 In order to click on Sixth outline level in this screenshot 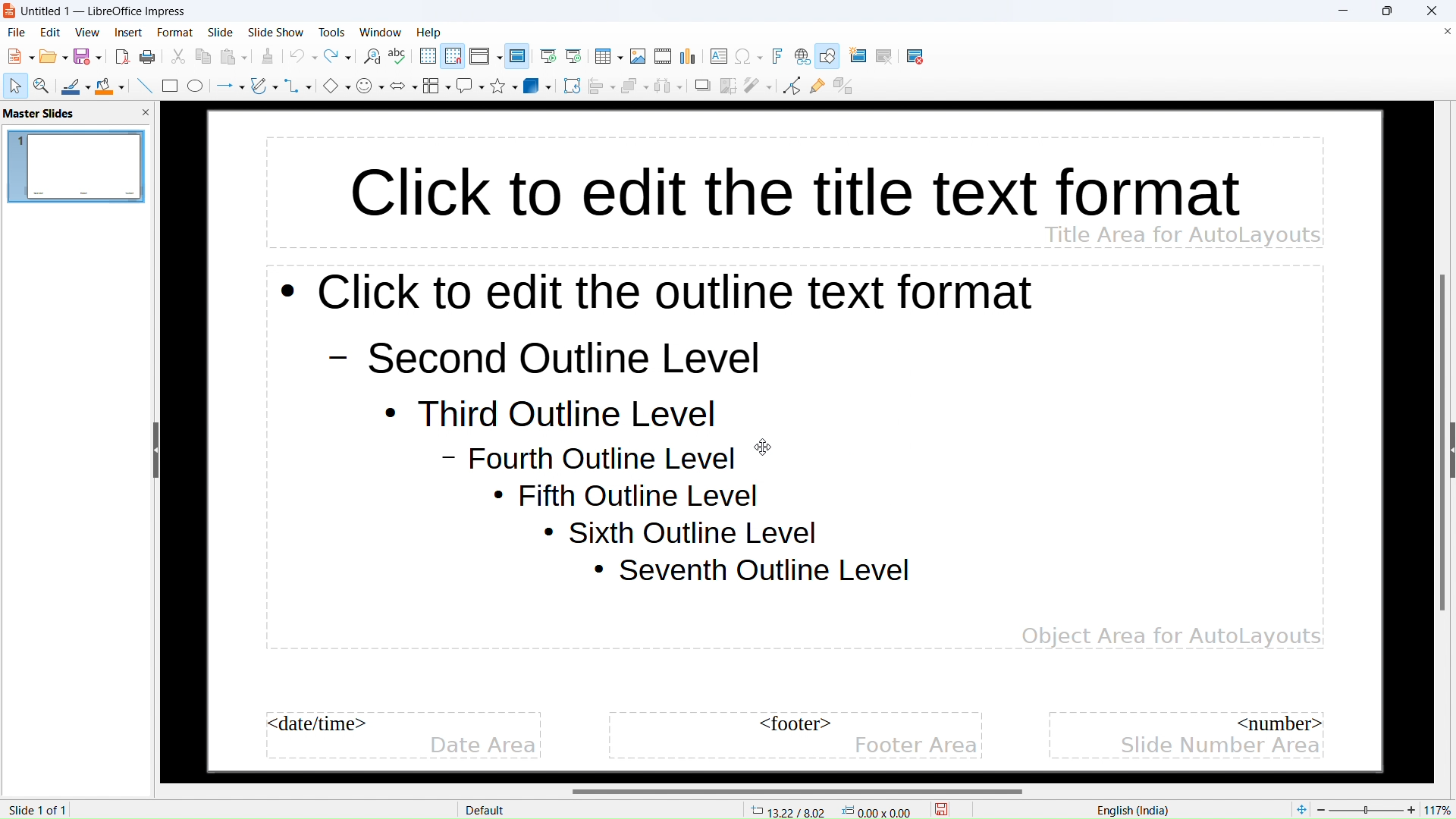, I will do `click(680, 533)`.